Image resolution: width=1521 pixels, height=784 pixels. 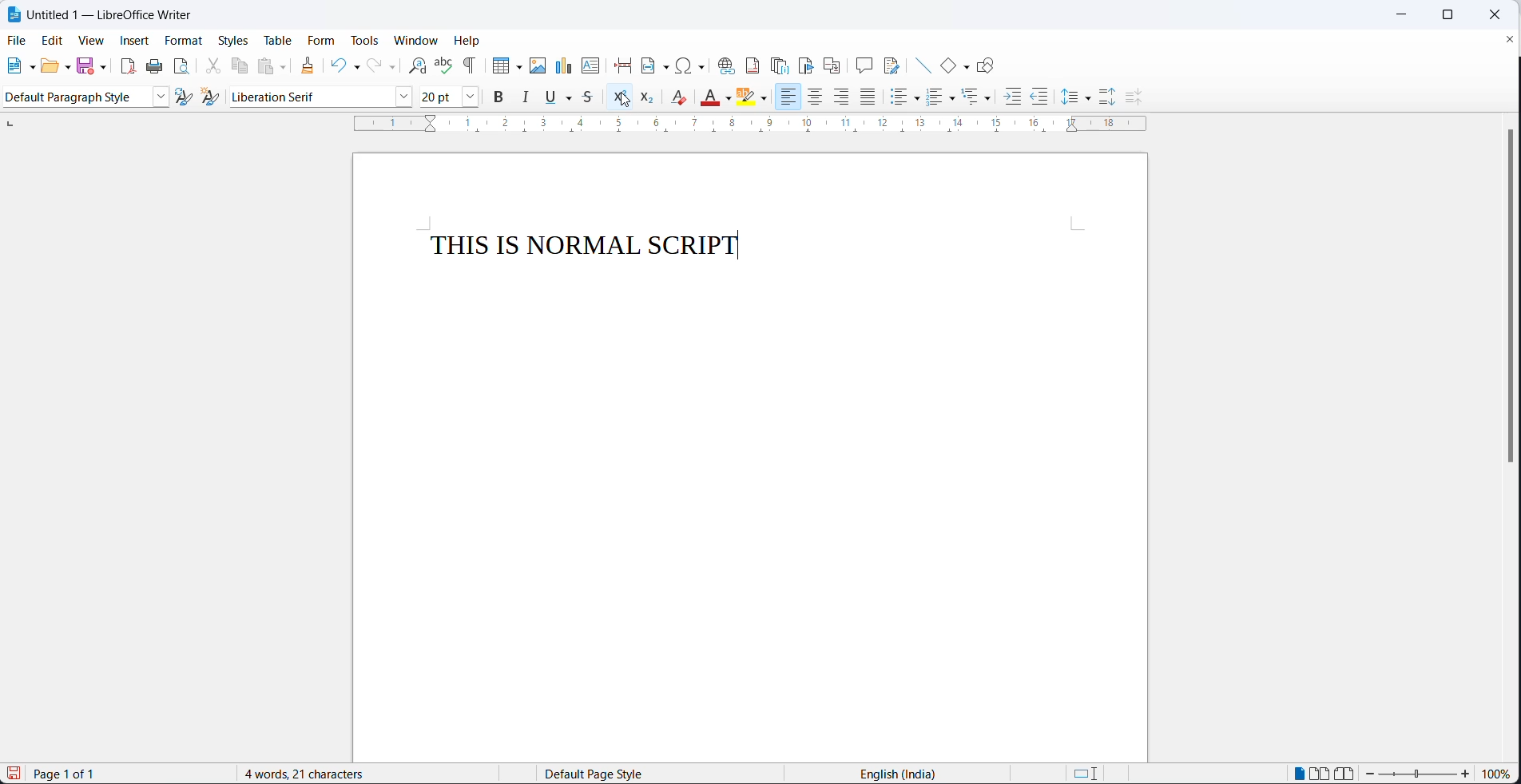 What do you see at coordinates (337, 65) in the screenshot?
I see `undo` at bounding box center [337, 65].